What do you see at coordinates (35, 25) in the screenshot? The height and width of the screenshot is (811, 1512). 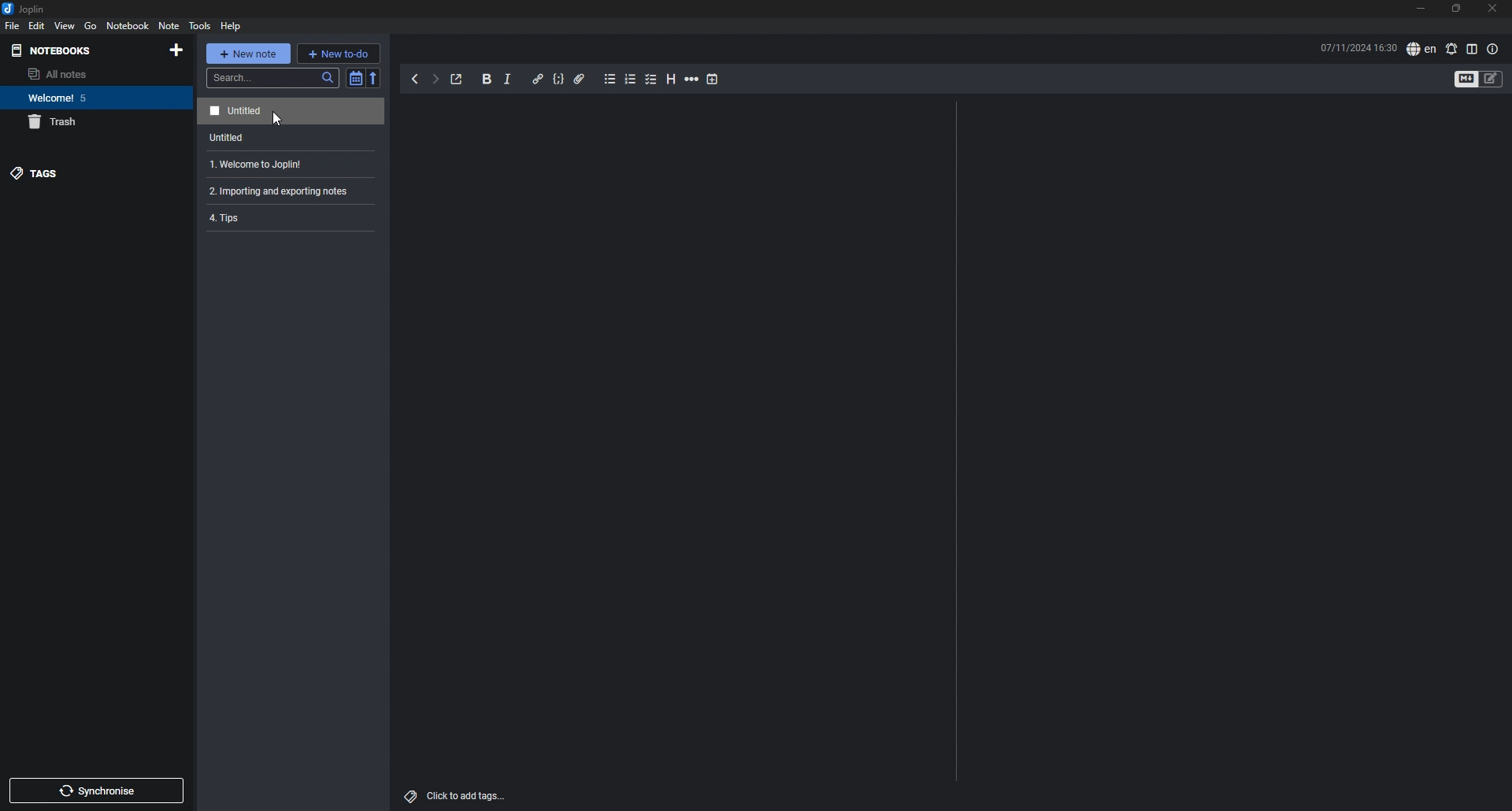 I see `edit` at bounding box center [35, 25].